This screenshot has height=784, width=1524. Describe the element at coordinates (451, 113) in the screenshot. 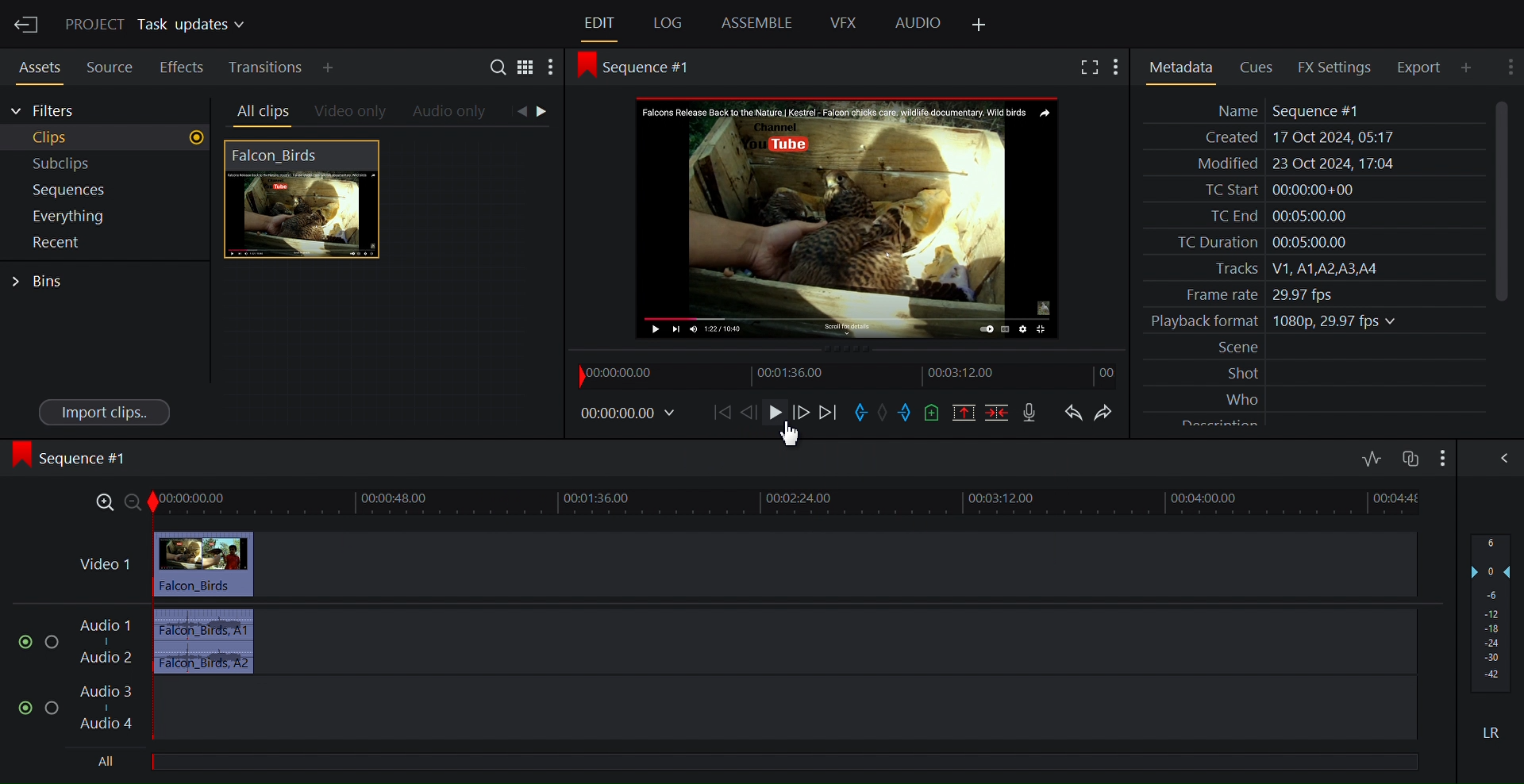

I see `Audio only` at that location.